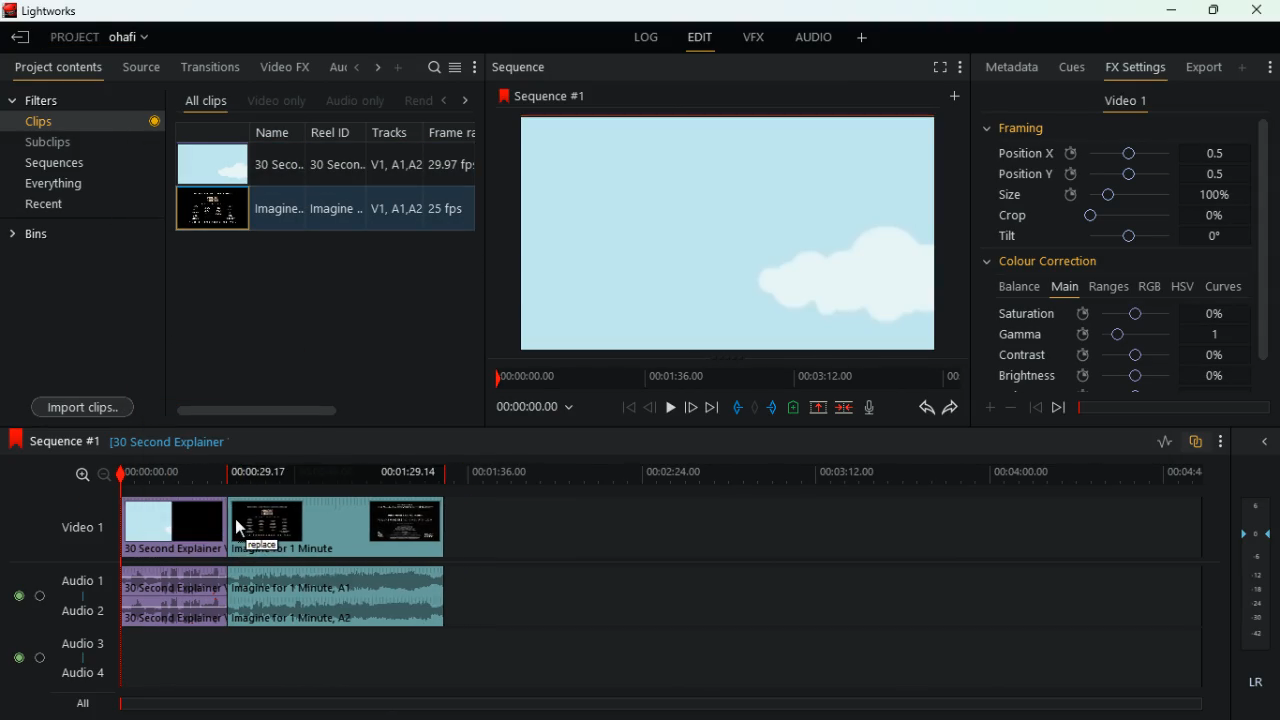  I want to click on more, so click(475, 67).